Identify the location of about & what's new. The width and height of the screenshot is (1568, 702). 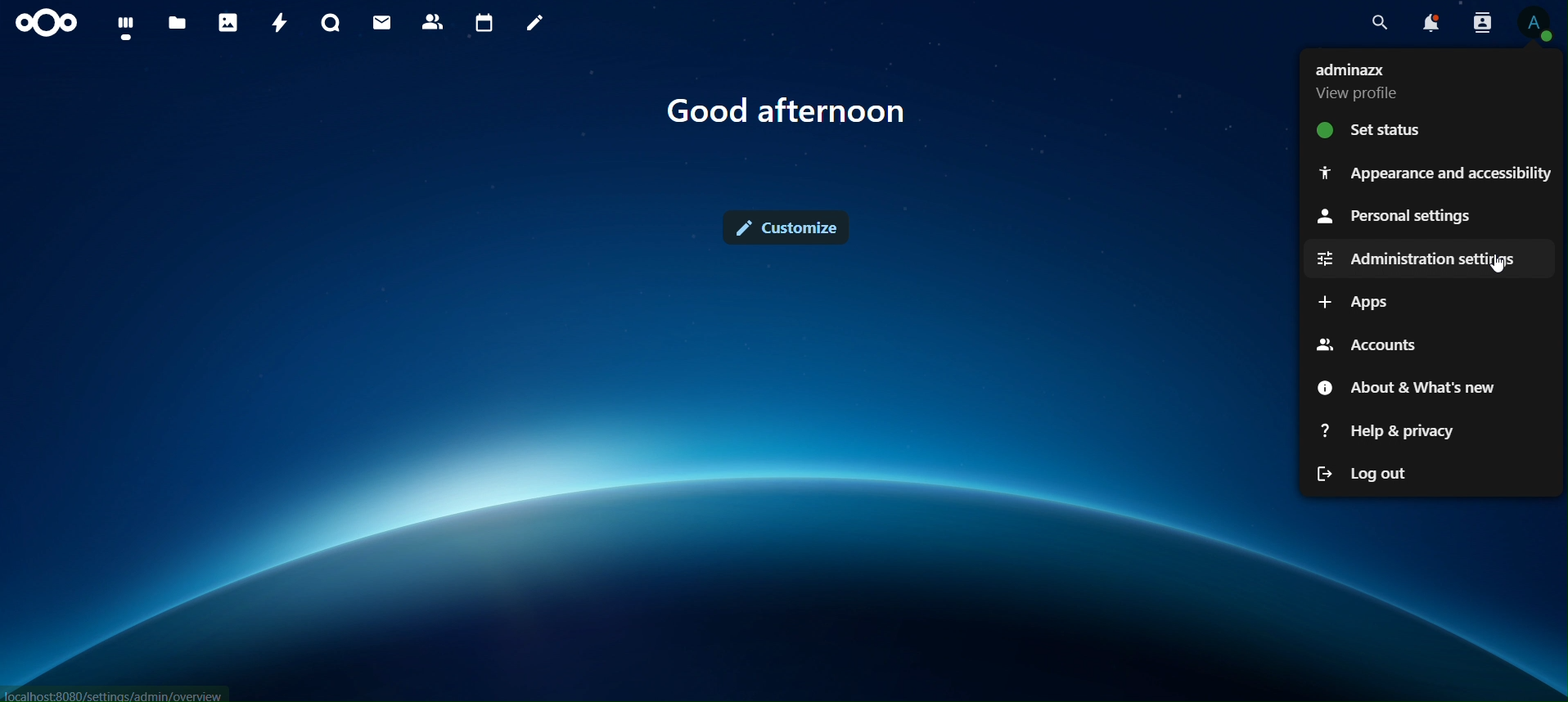
(1408, 389).